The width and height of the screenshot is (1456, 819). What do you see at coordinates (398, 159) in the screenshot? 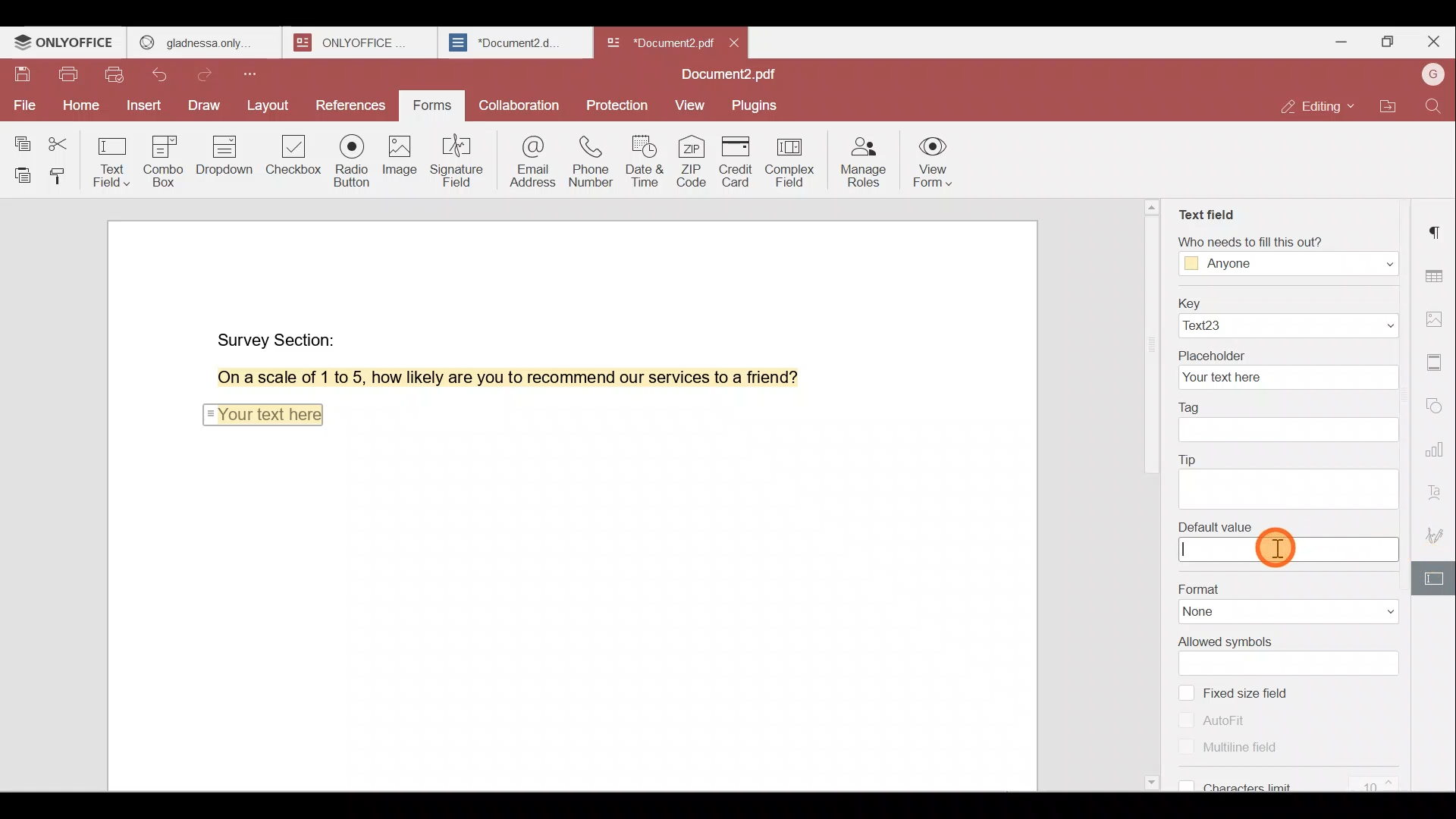
I see `Image` at bounding box center [398, 159].